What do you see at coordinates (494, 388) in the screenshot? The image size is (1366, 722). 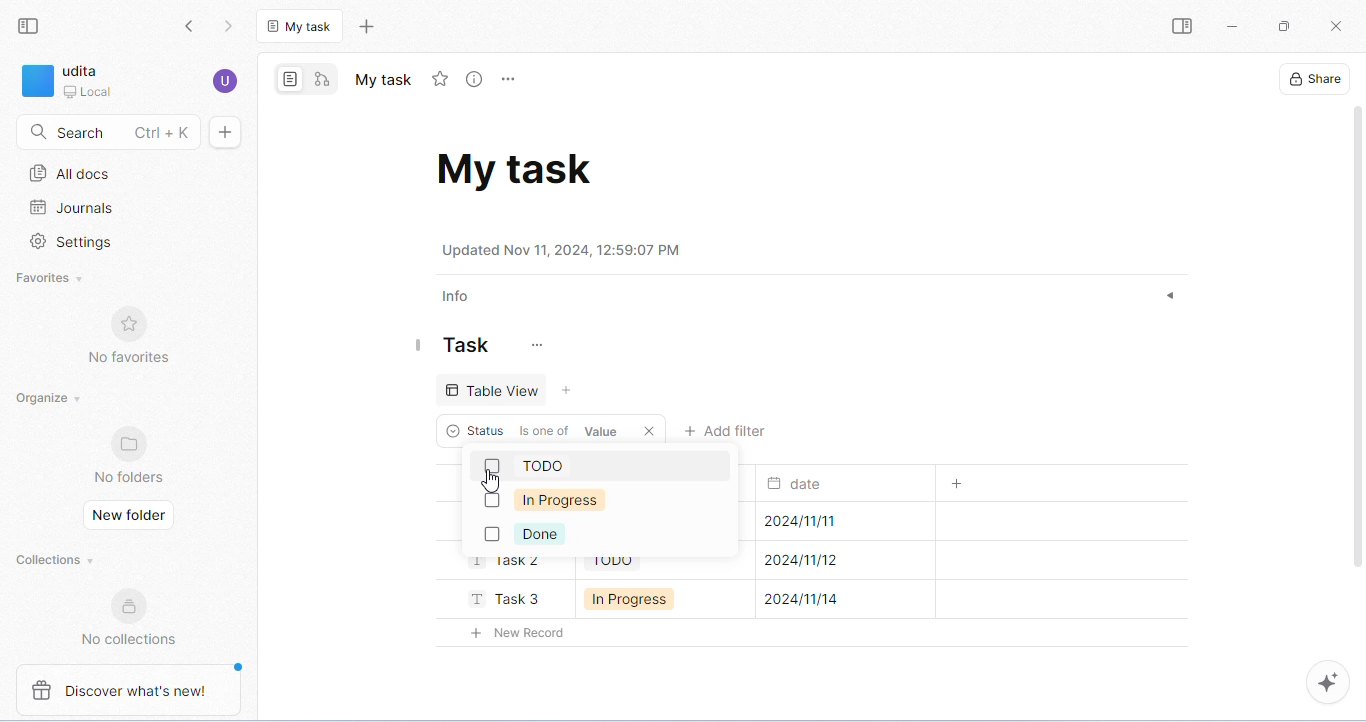 I see `table view` at bounding box center [494, 388].